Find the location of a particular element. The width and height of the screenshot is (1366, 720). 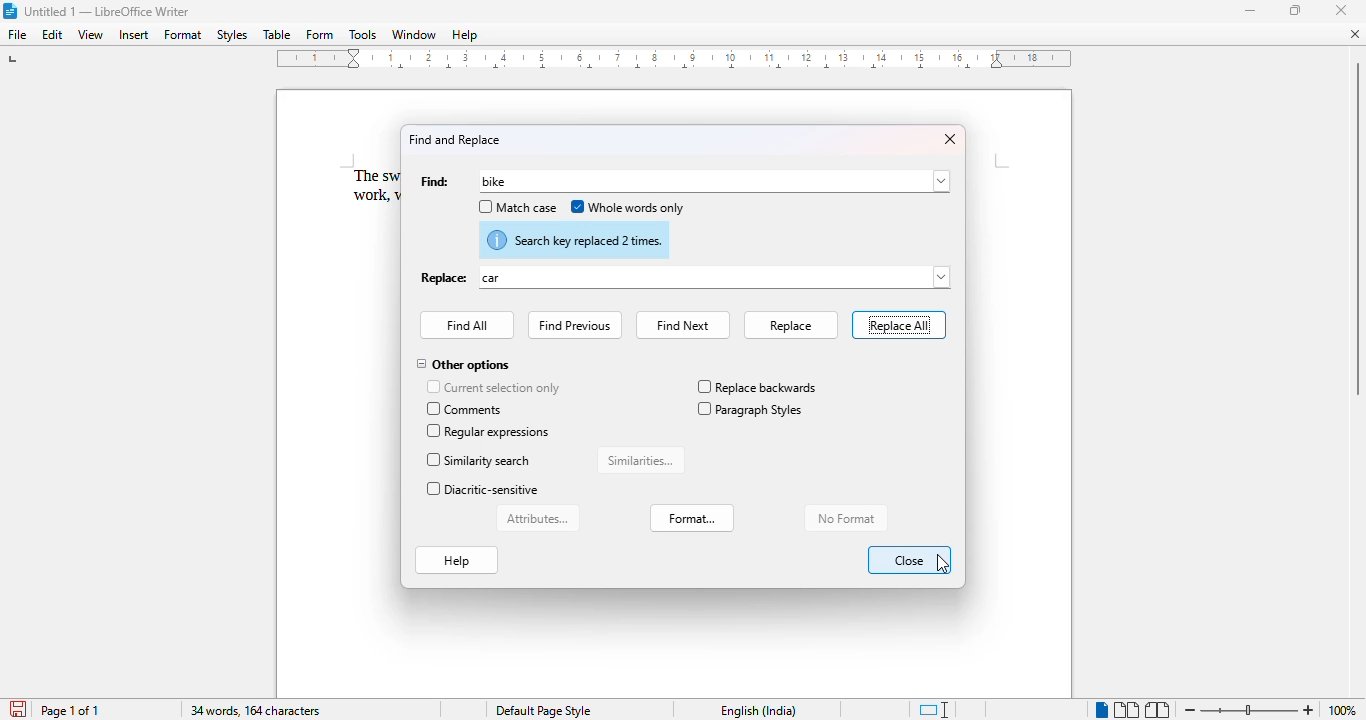

find all is located at coordinates (468, 325).